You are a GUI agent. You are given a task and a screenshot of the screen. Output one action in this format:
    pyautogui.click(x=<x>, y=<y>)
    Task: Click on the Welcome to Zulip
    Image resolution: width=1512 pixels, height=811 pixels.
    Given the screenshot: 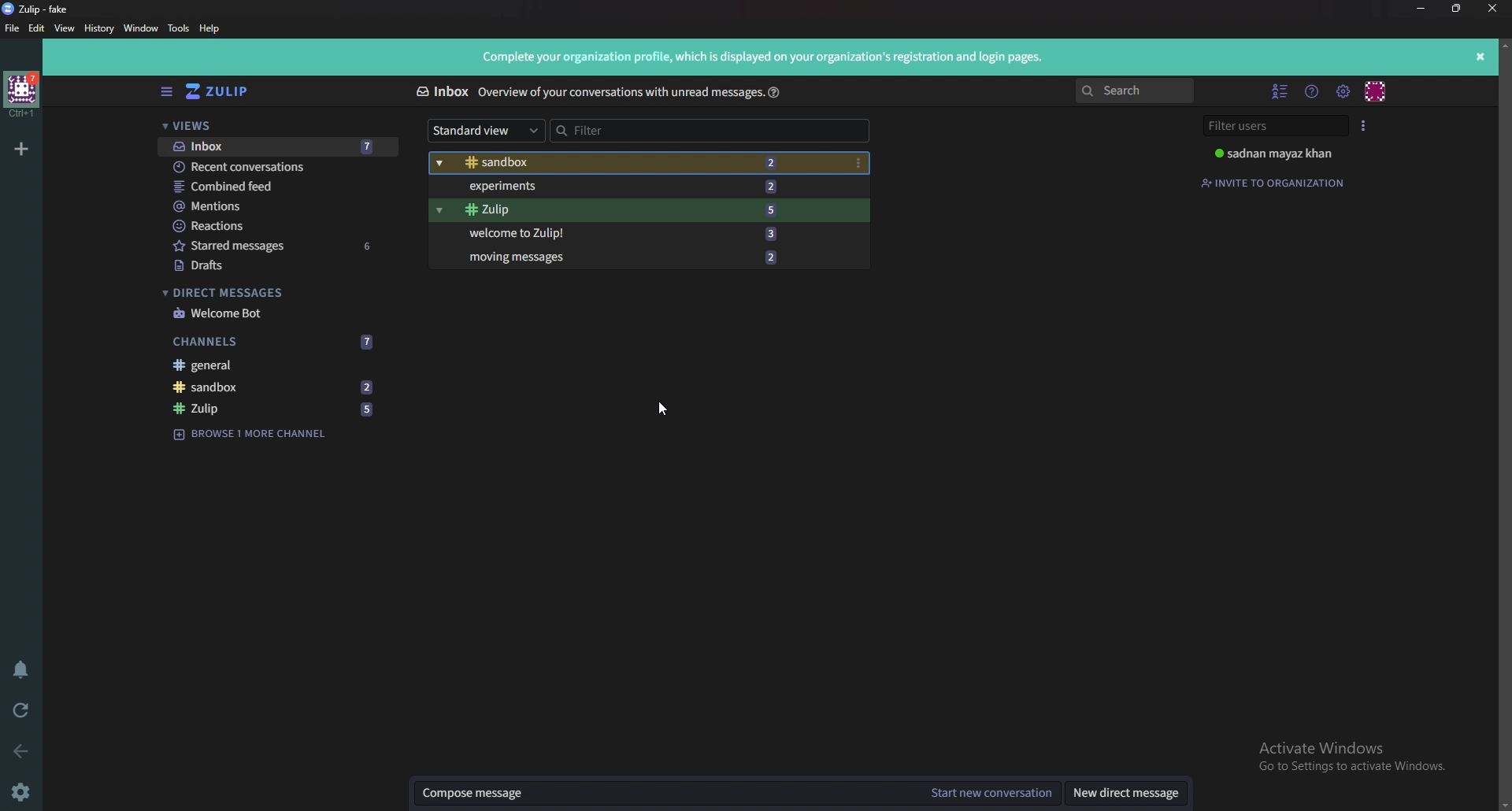 What is the action you would take?
    pyautogui.click(x=636, y=231)
    